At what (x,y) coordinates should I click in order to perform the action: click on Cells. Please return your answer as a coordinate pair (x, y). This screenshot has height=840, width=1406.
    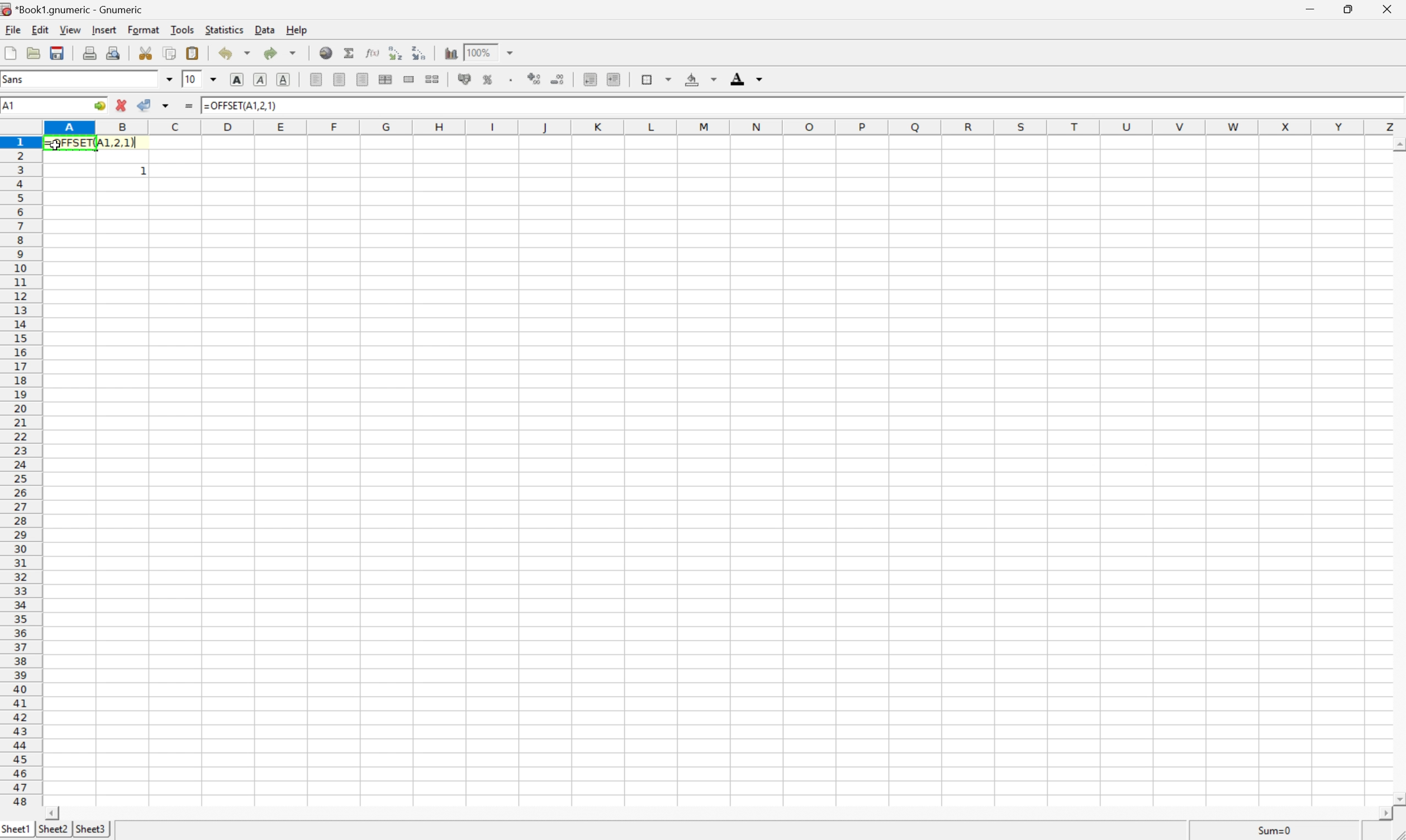
    Looking at the image, I should click on (719, 501).